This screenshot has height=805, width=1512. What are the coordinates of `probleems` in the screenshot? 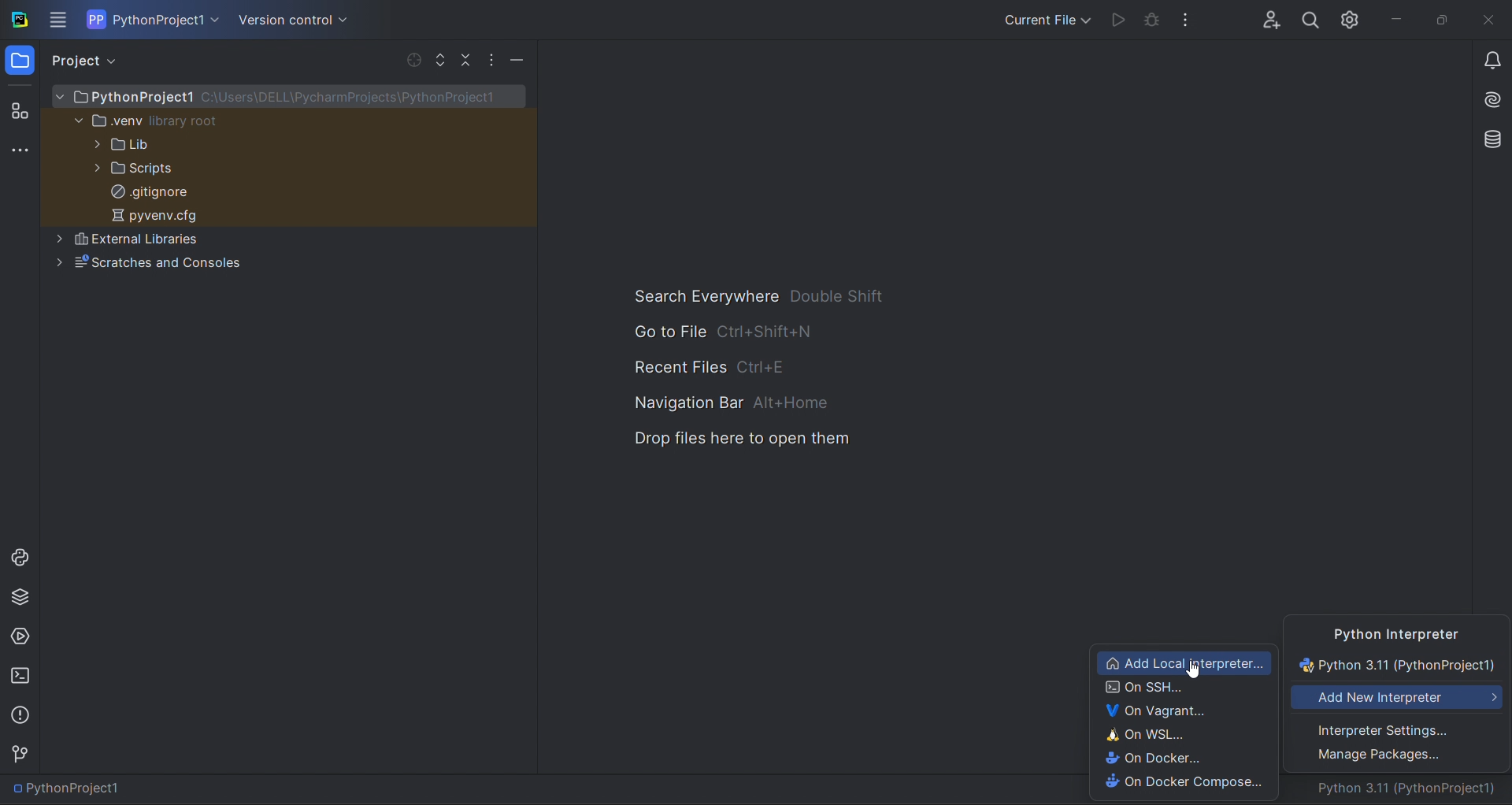 It's located at (23, 714).